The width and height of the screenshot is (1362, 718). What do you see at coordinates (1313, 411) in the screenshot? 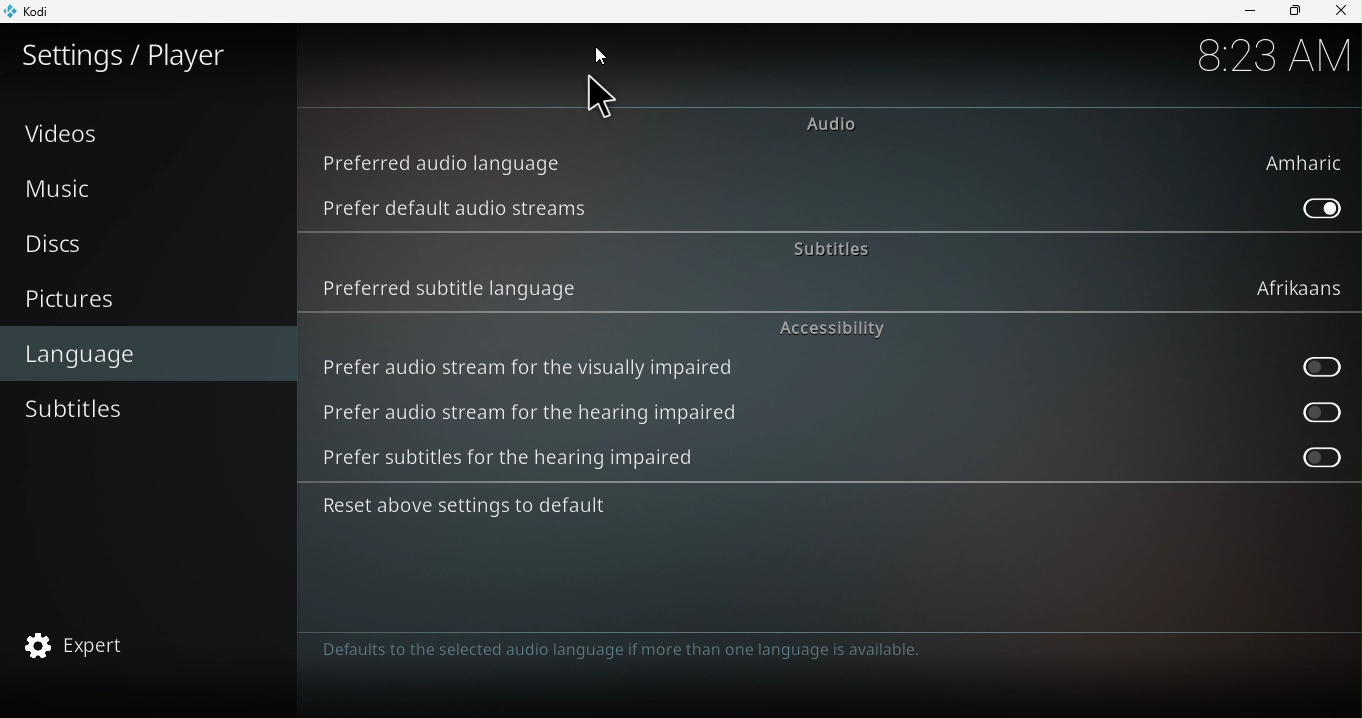
I see `Prefer audio stream for the hearing impaired` at bounding box center [1313, 411].